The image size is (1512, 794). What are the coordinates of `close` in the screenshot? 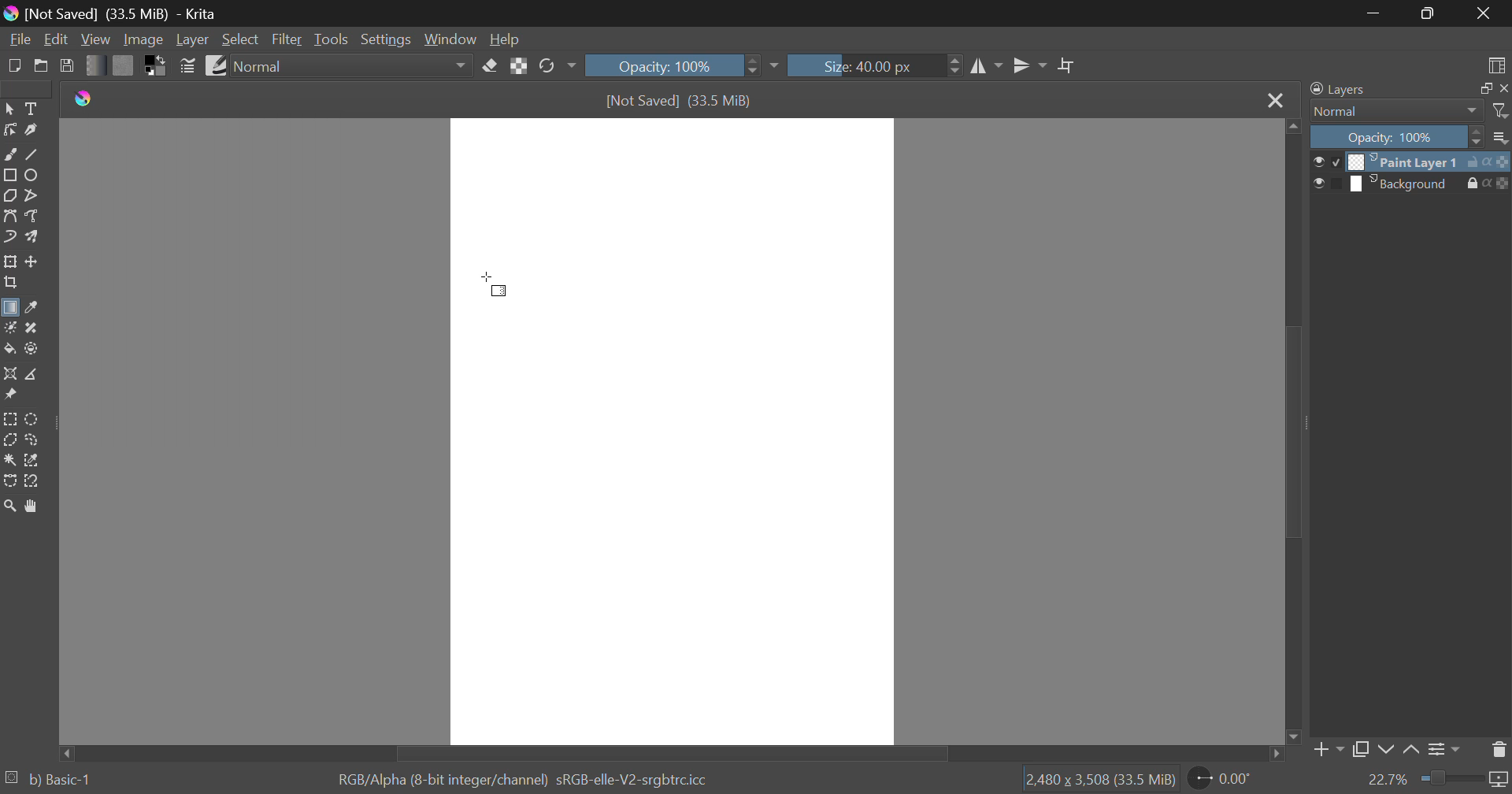 It's located at (1503, 88).